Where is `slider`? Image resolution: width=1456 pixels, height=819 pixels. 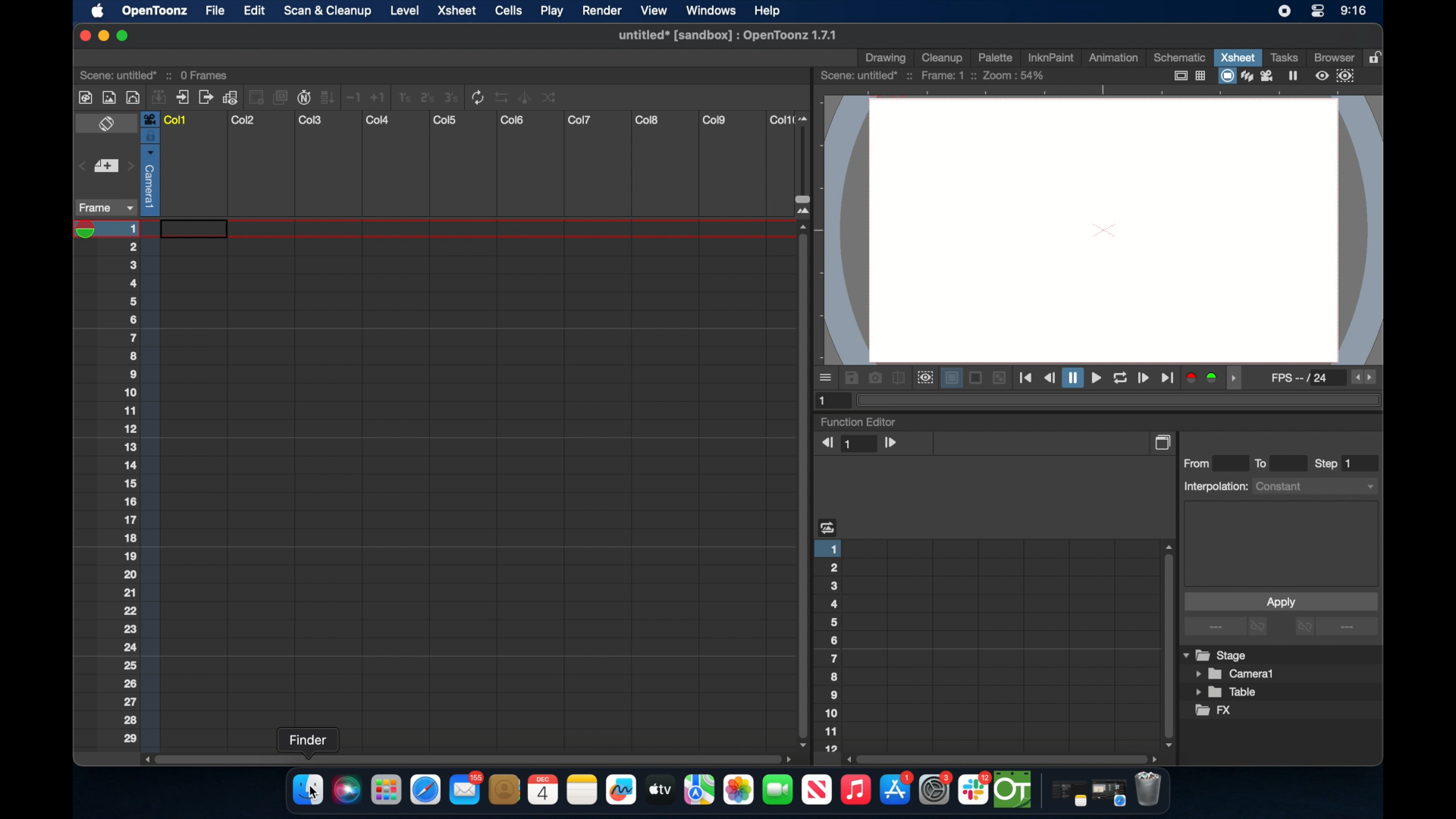 slider is located at coordinates (808, 165).